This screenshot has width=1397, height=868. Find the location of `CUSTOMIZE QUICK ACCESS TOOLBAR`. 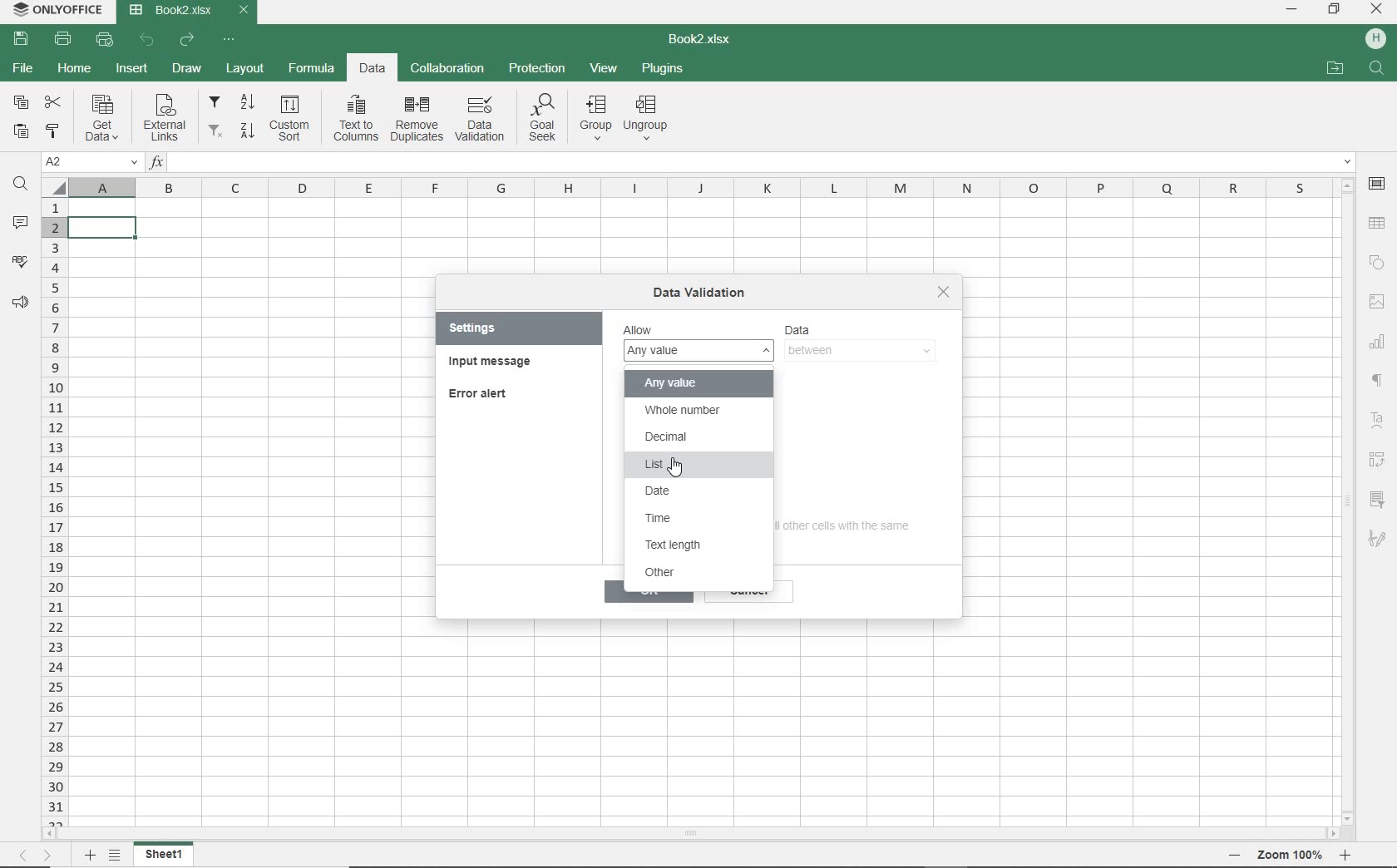

CUSTOMIZE QUICK ACCESS TOOLBAR is located at coordinates (230, 41).